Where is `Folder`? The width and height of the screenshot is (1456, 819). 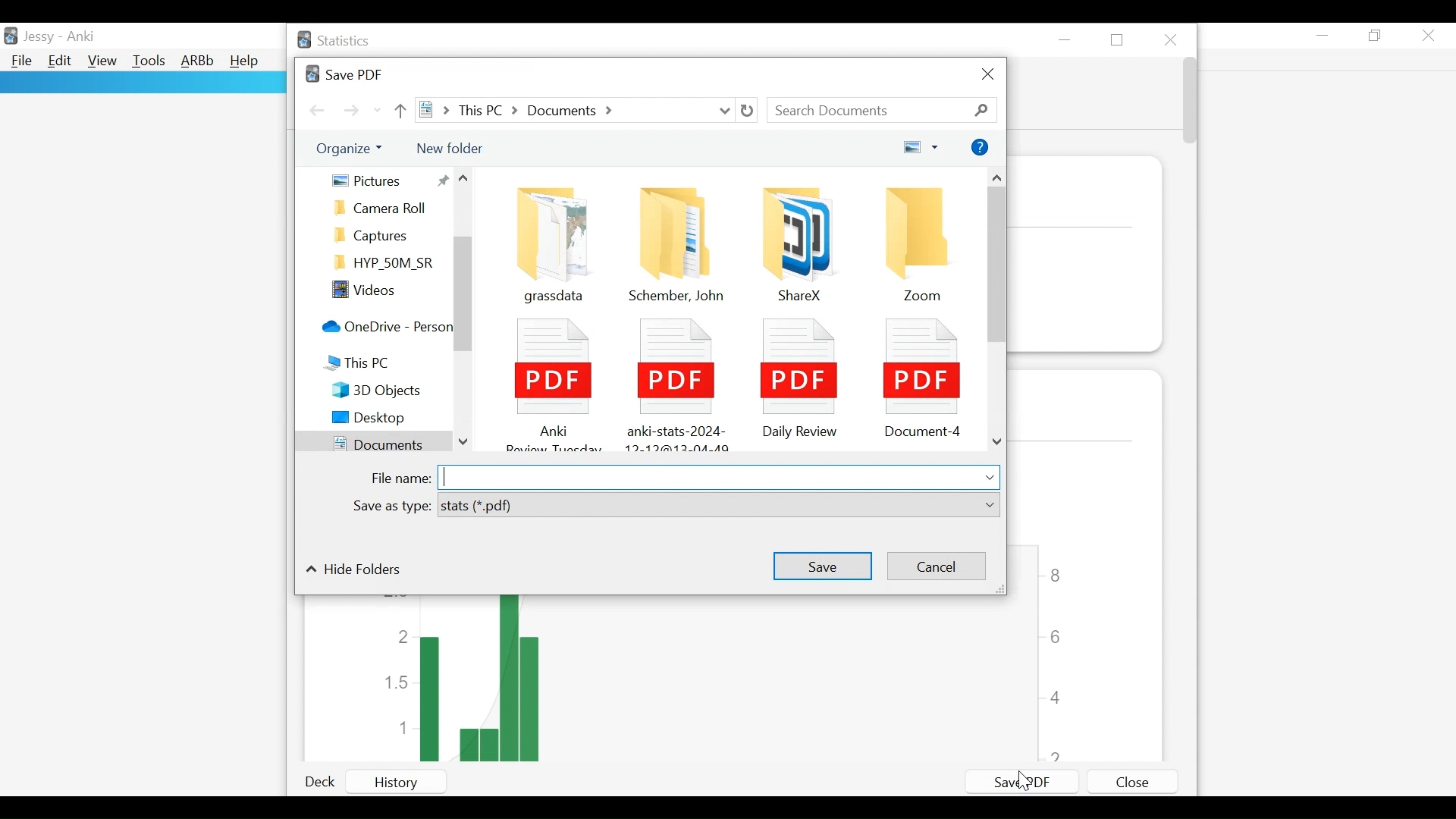
Folder is located at coordinates (922, 243).